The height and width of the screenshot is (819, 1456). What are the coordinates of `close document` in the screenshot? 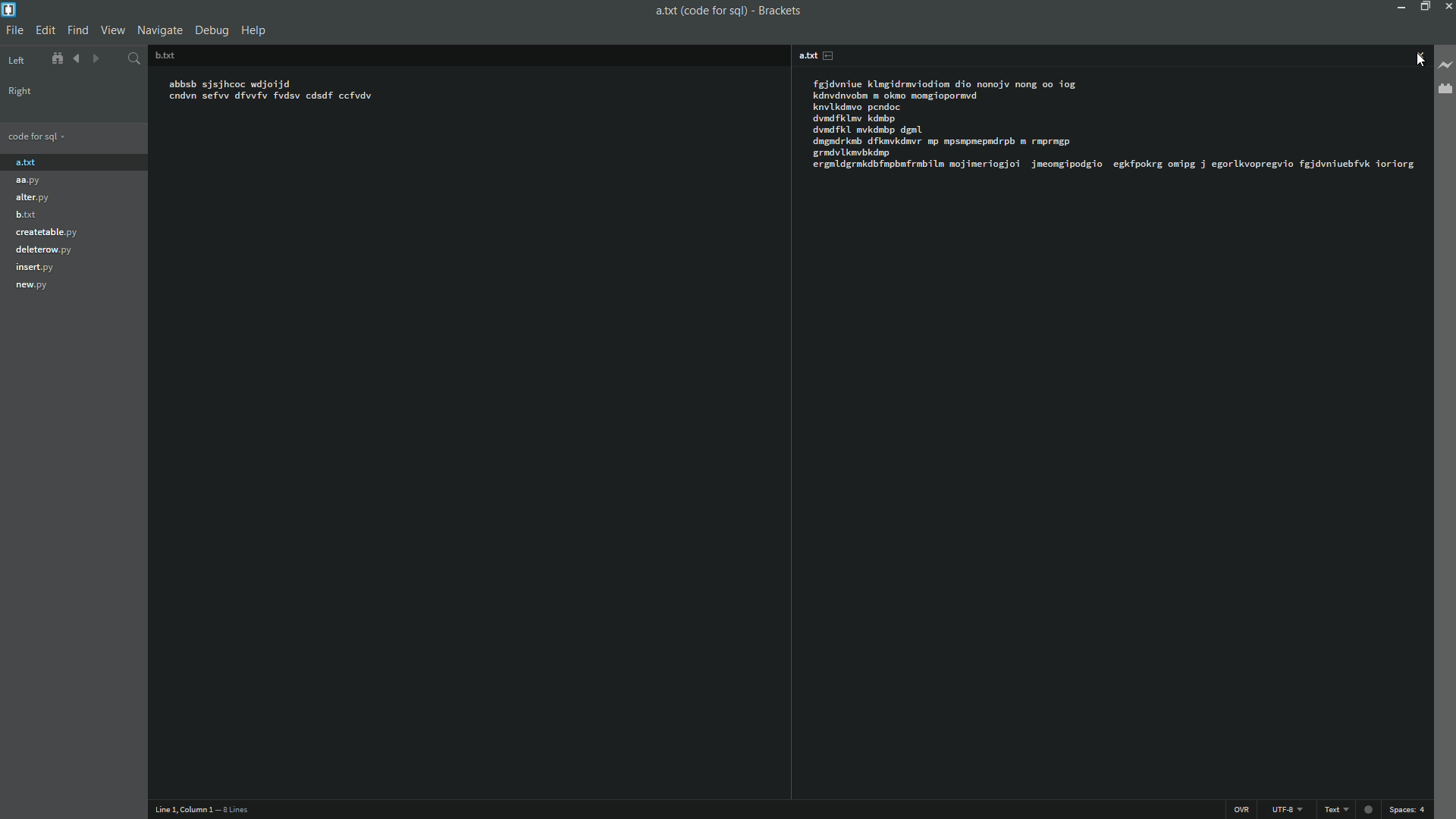 It's located at (1421, 55).